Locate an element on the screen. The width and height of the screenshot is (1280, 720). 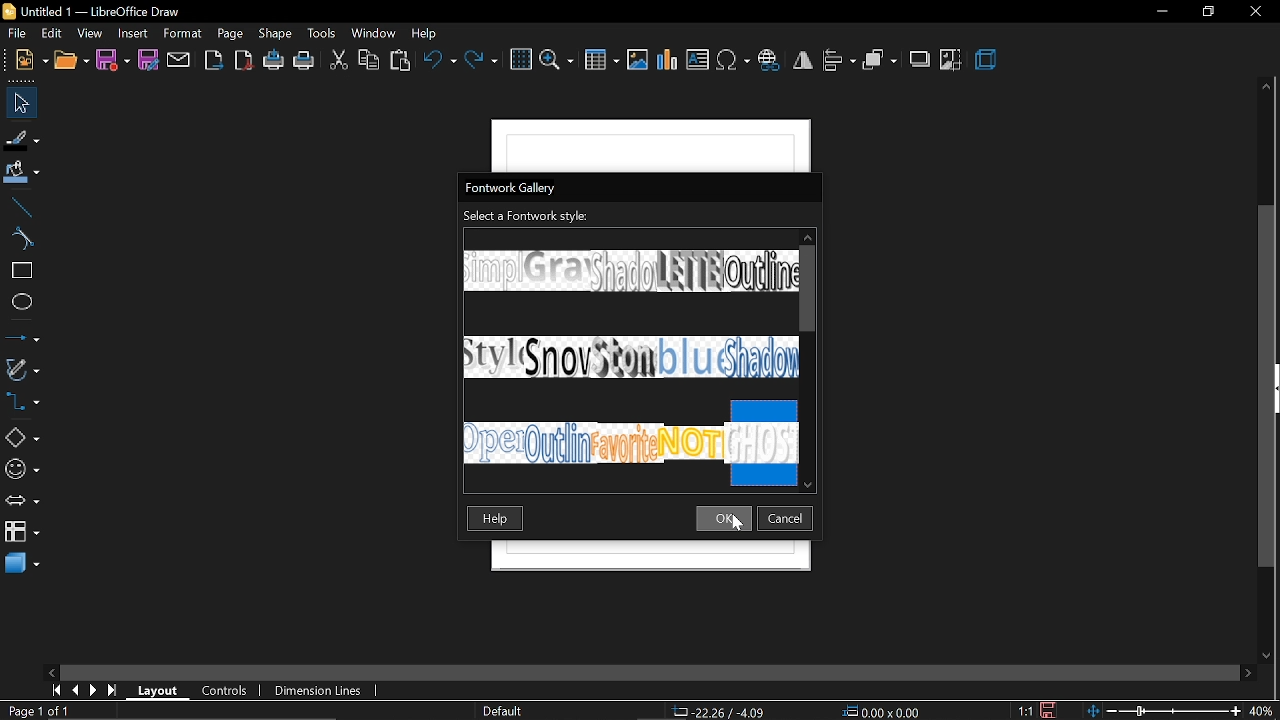
move down is located at coordinates (1266, 656).